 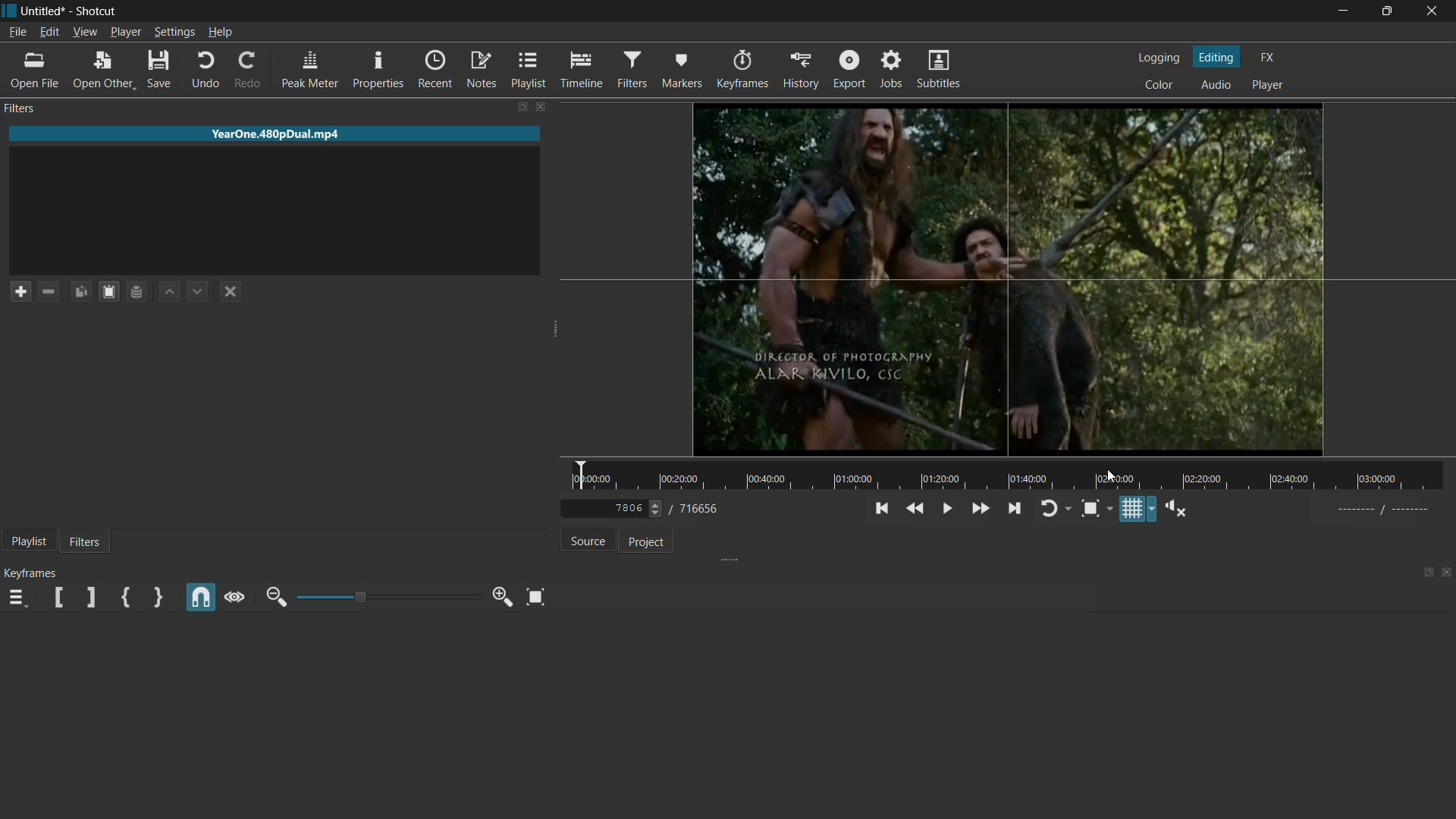 I want to click on color, so click(x=1159, y=86).